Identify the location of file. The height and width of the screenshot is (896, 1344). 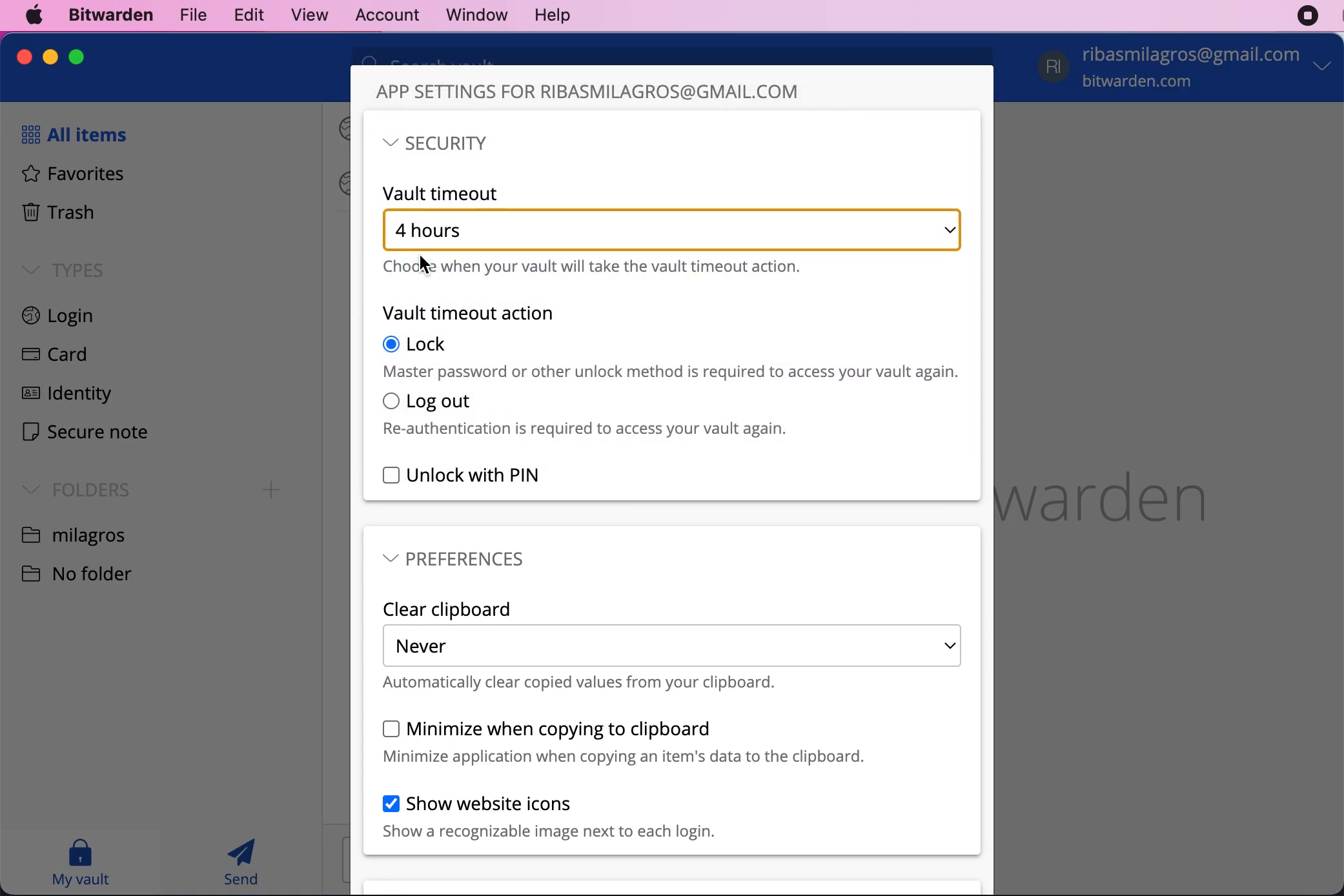
(190, 14).